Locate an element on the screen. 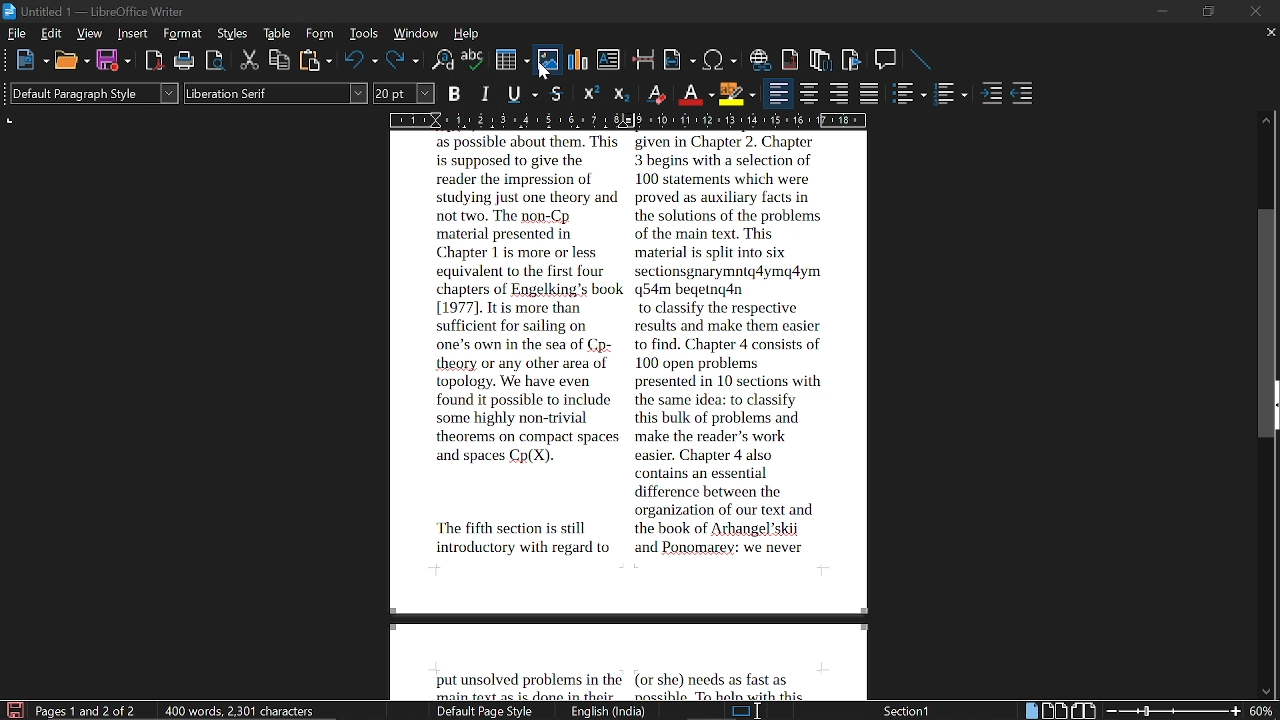  format is located at coordinates (182, 34).